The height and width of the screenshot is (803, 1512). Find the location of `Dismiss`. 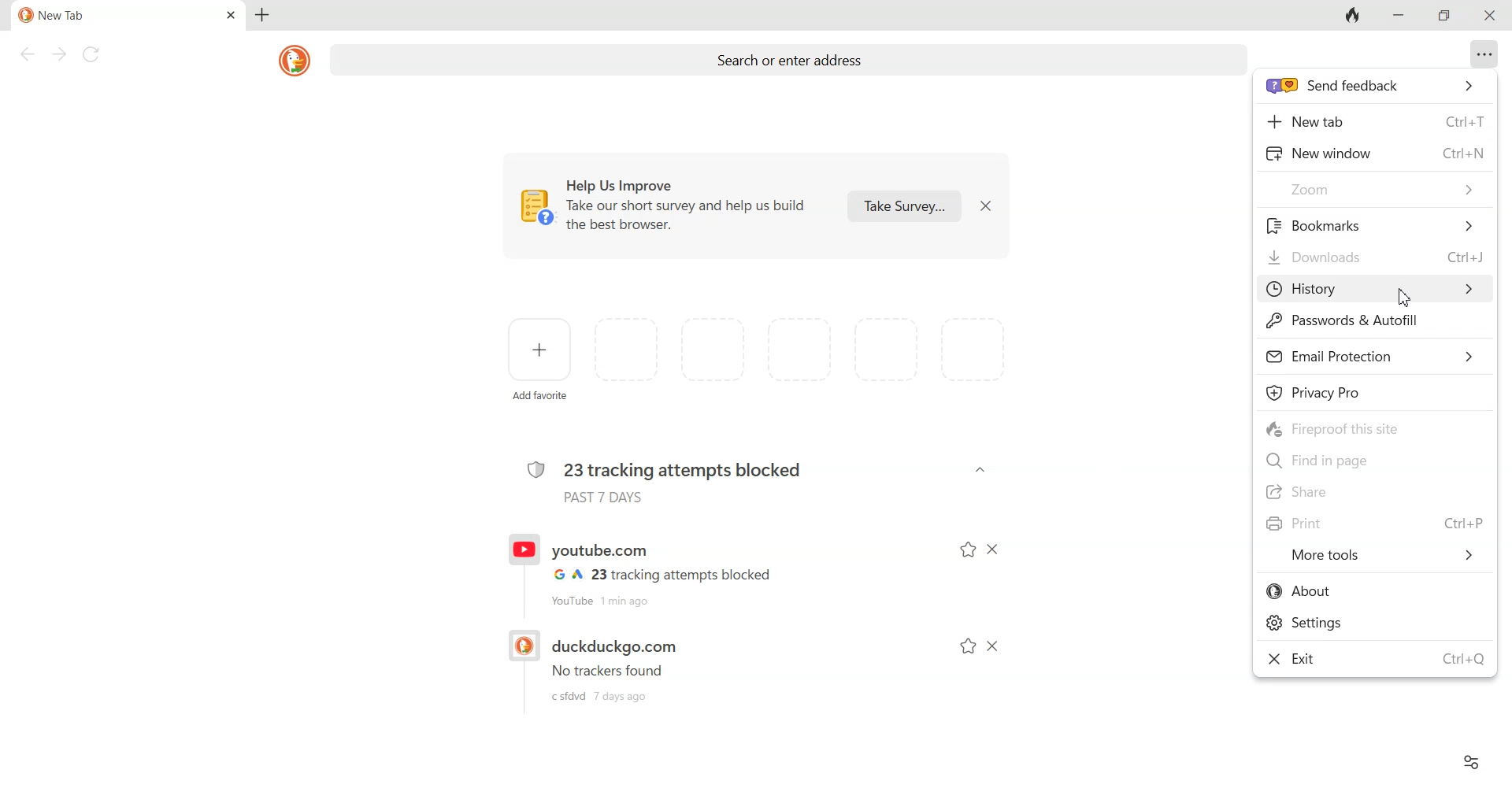

Dismiss is located at coordinates (984, 205).